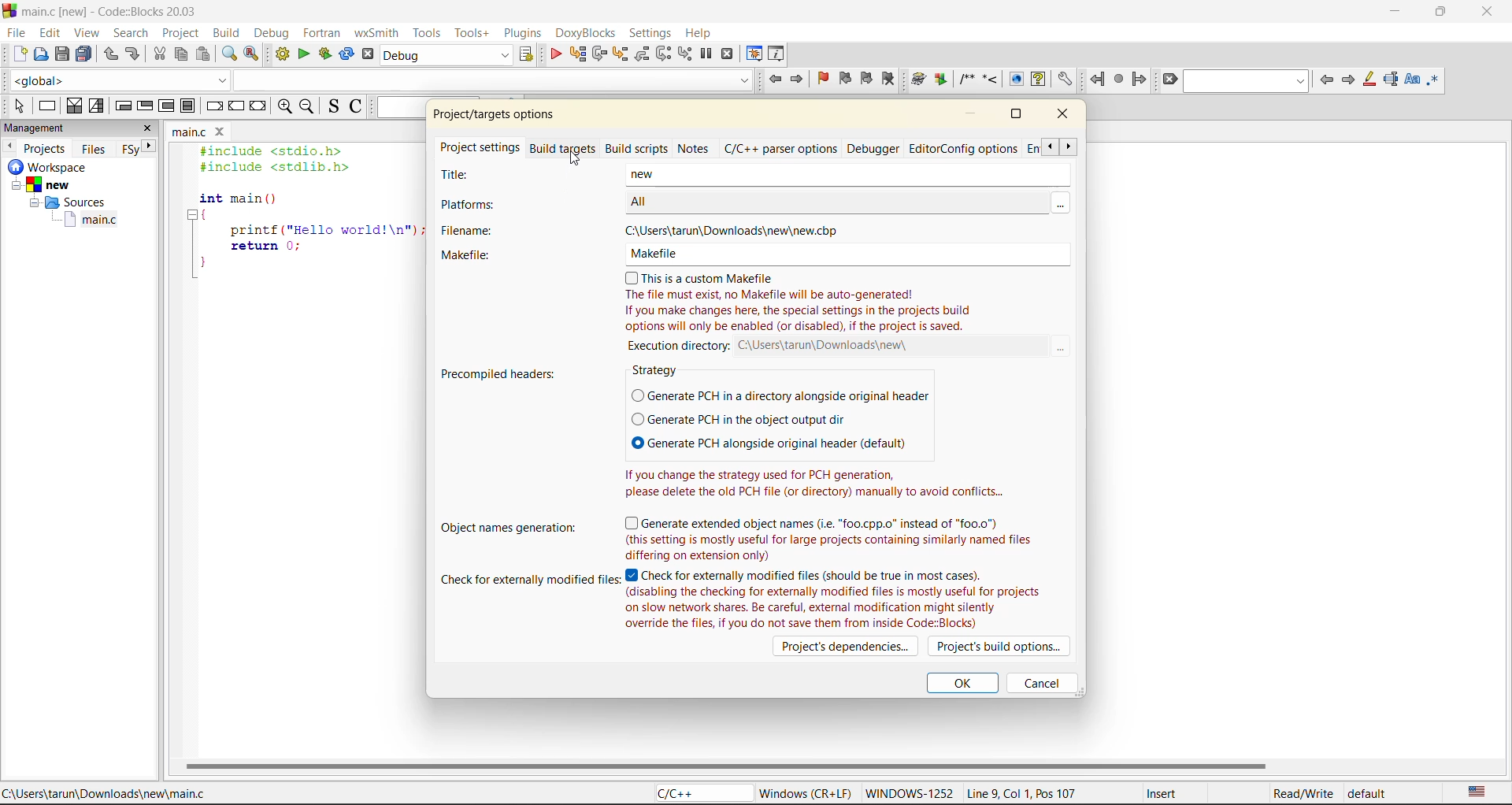 The width and height of the screenshot is (1512, 805). Describe the element at coordinates (908, 795) in the screenshot. I see `WINDOWS-1252` at that location.